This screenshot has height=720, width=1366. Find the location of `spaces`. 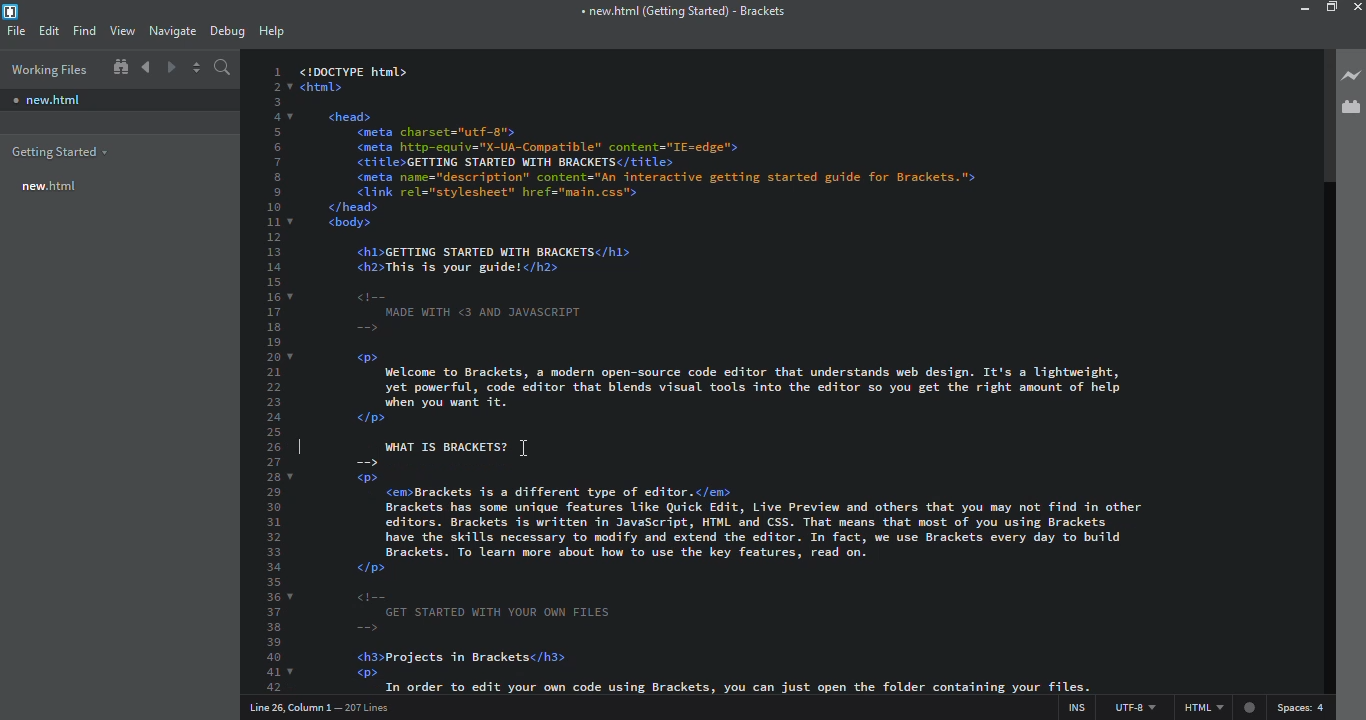

spaces is located at coordinates (1303, 706).